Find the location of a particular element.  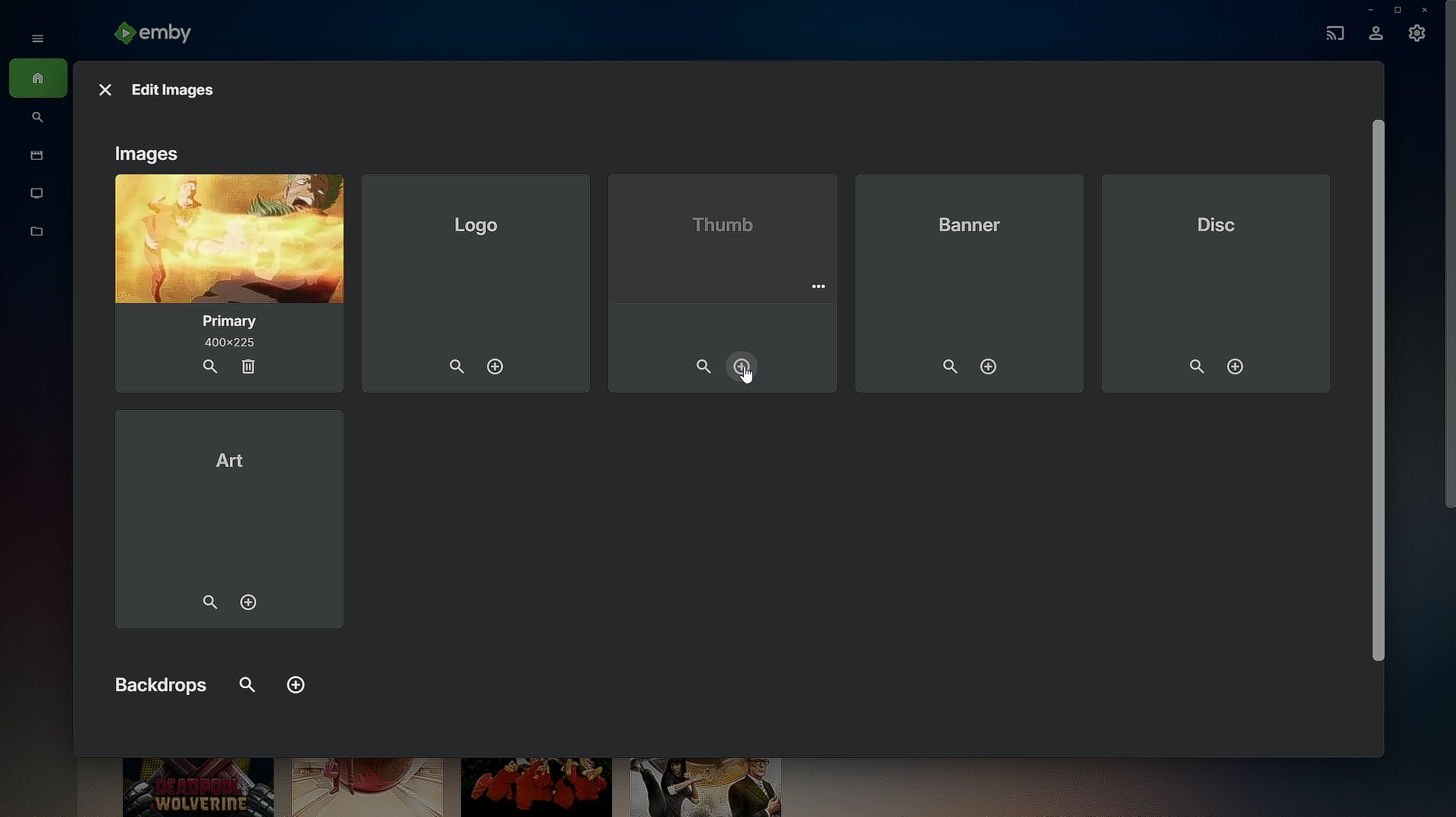

Account is located at coordinates (1376, 35).